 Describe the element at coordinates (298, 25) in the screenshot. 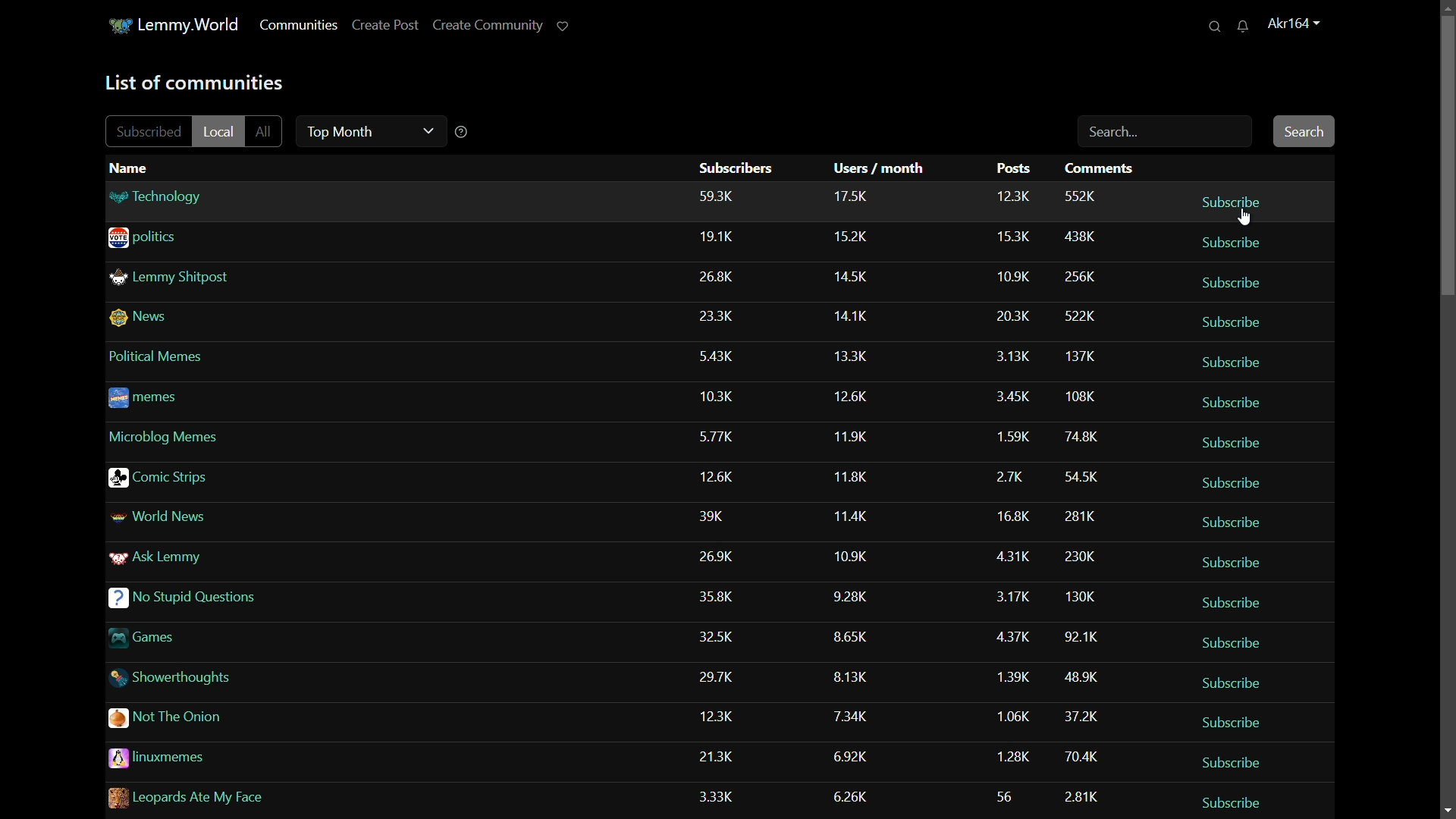

I see `communities` at that location.